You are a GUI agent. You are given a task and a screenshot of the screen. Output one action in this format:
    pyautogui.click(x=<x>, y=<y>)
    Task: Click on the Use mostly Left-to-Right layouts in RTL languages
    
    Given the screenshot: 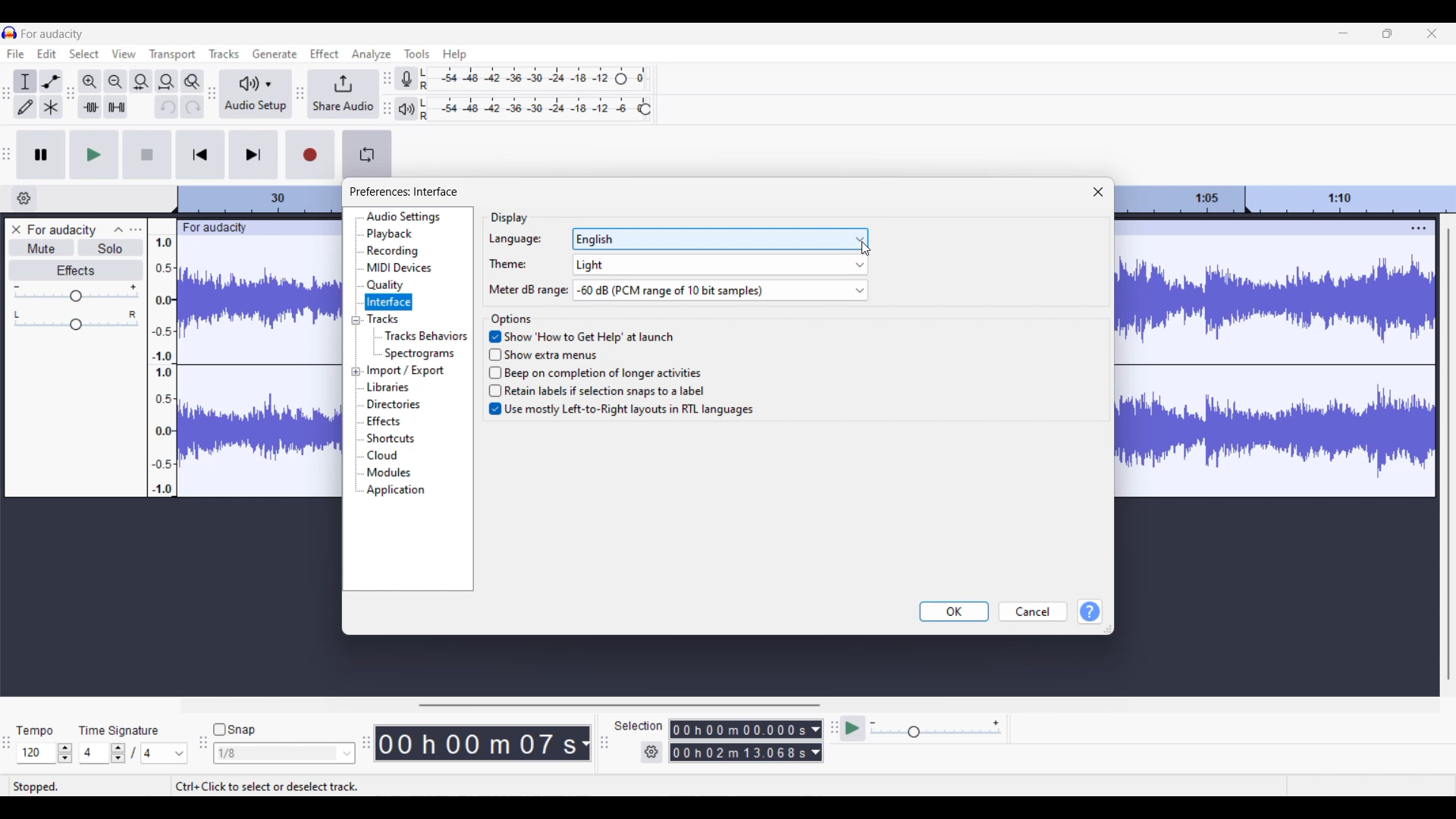 What is the action you would take?
    pyautogui.click(x=620, y=412)
    